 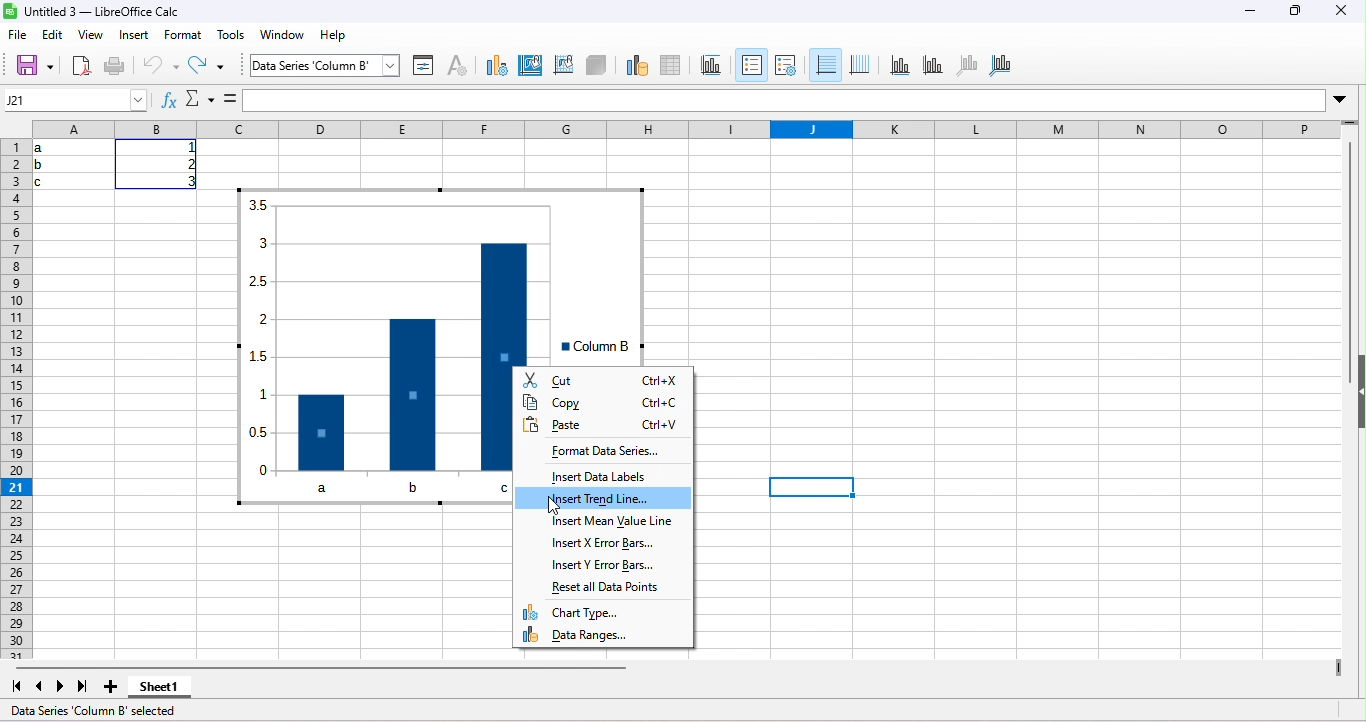 What do you see at coordinates (604, 428) in the screenshot?
I see `paste` at bounding box center [604, 428].